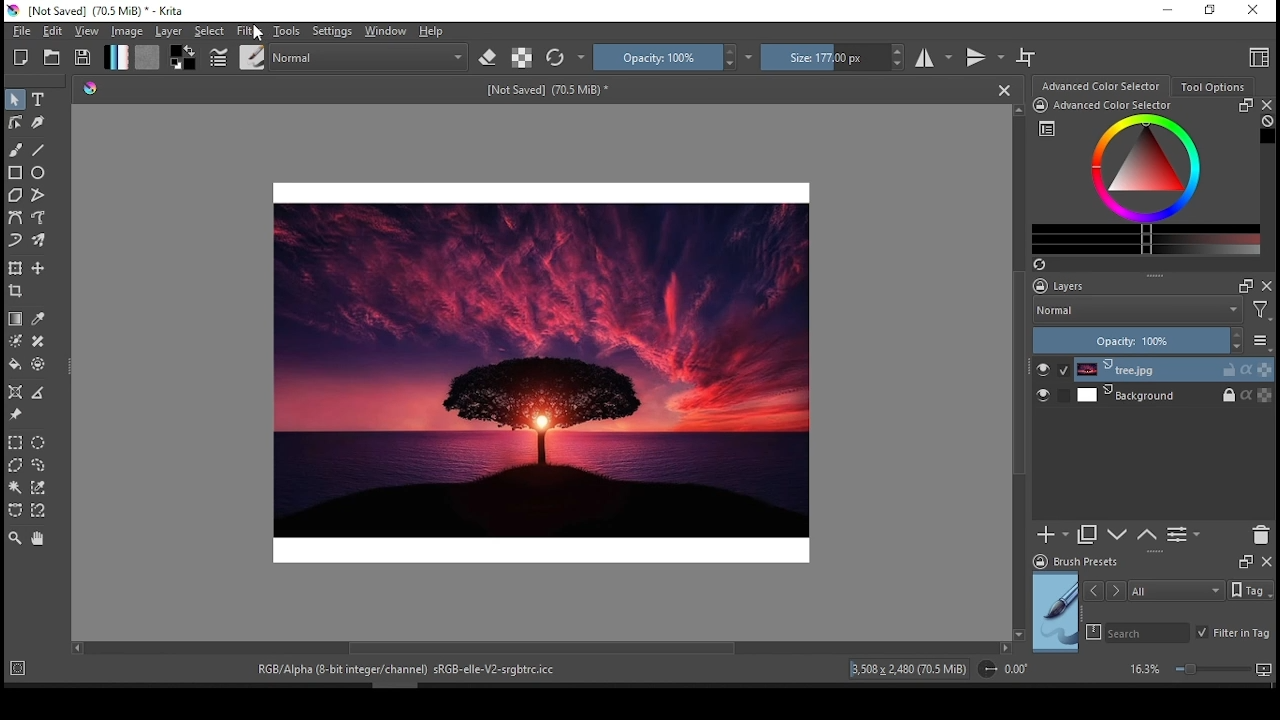 This screenshot has width=1280, height=720. Describe the element at coordinates (831, 57) in the screenshot. I see `size` at that location.